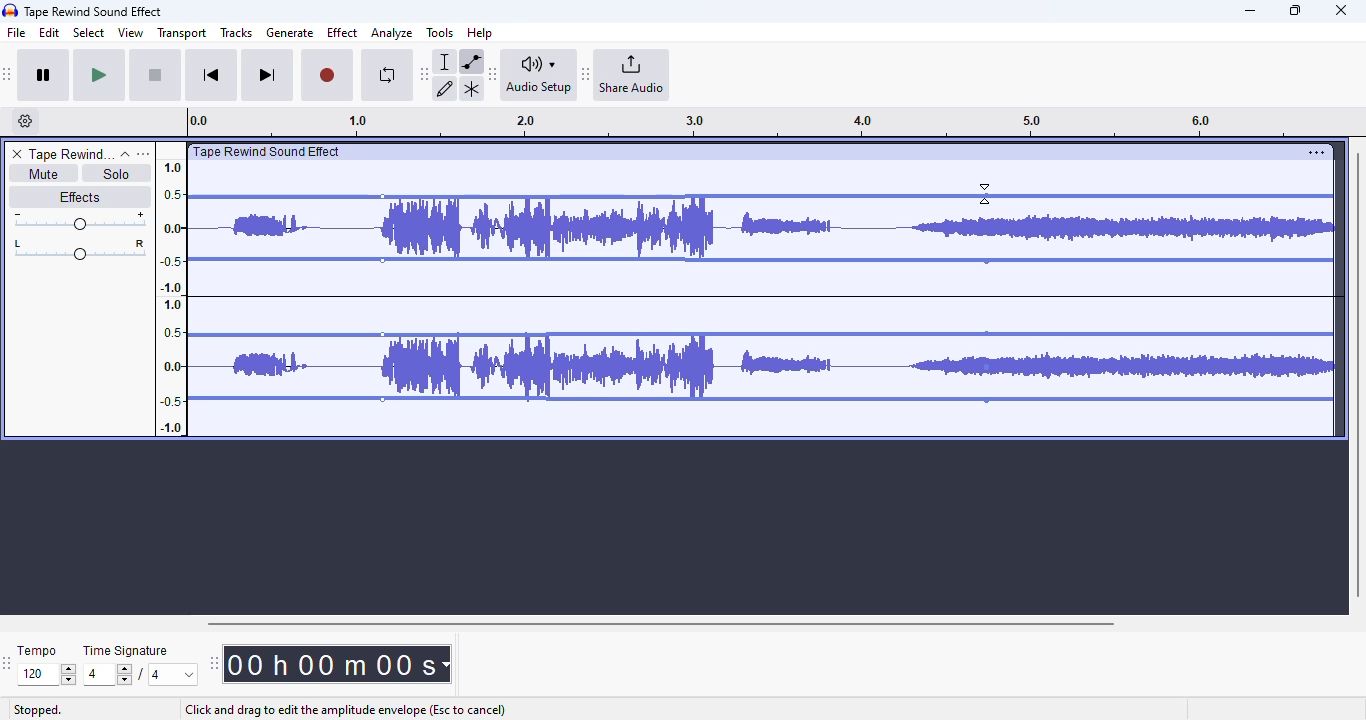 The image size is (1366, 720). What do you see at coordinates (446, 88) in the screenshot?
I see `draw tool` at bounding box center [446, 88].